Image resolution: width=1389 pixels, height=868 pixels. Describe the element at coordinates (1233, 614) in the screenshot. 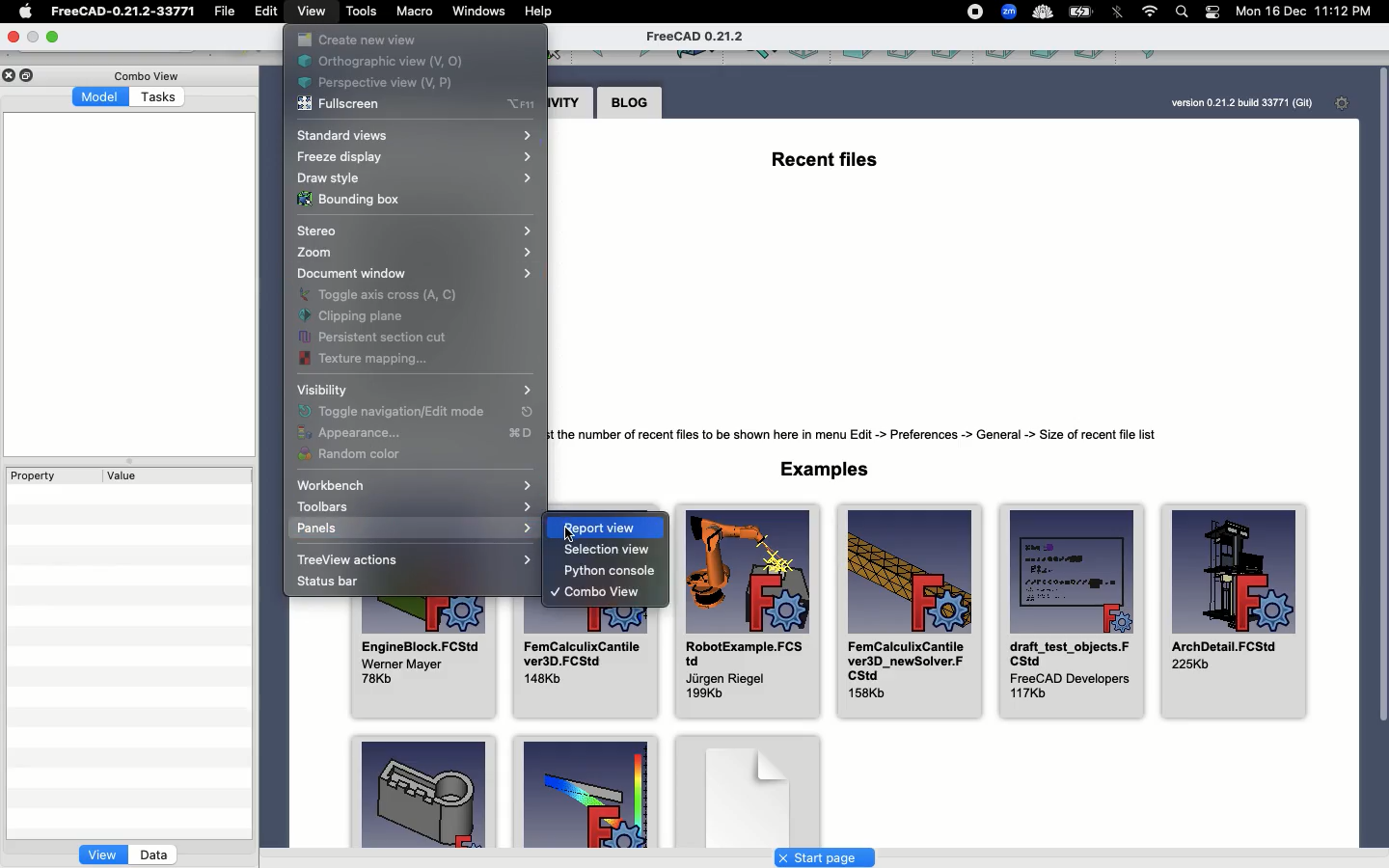

I see `ArchDetail FCStd225Kb` at that location.